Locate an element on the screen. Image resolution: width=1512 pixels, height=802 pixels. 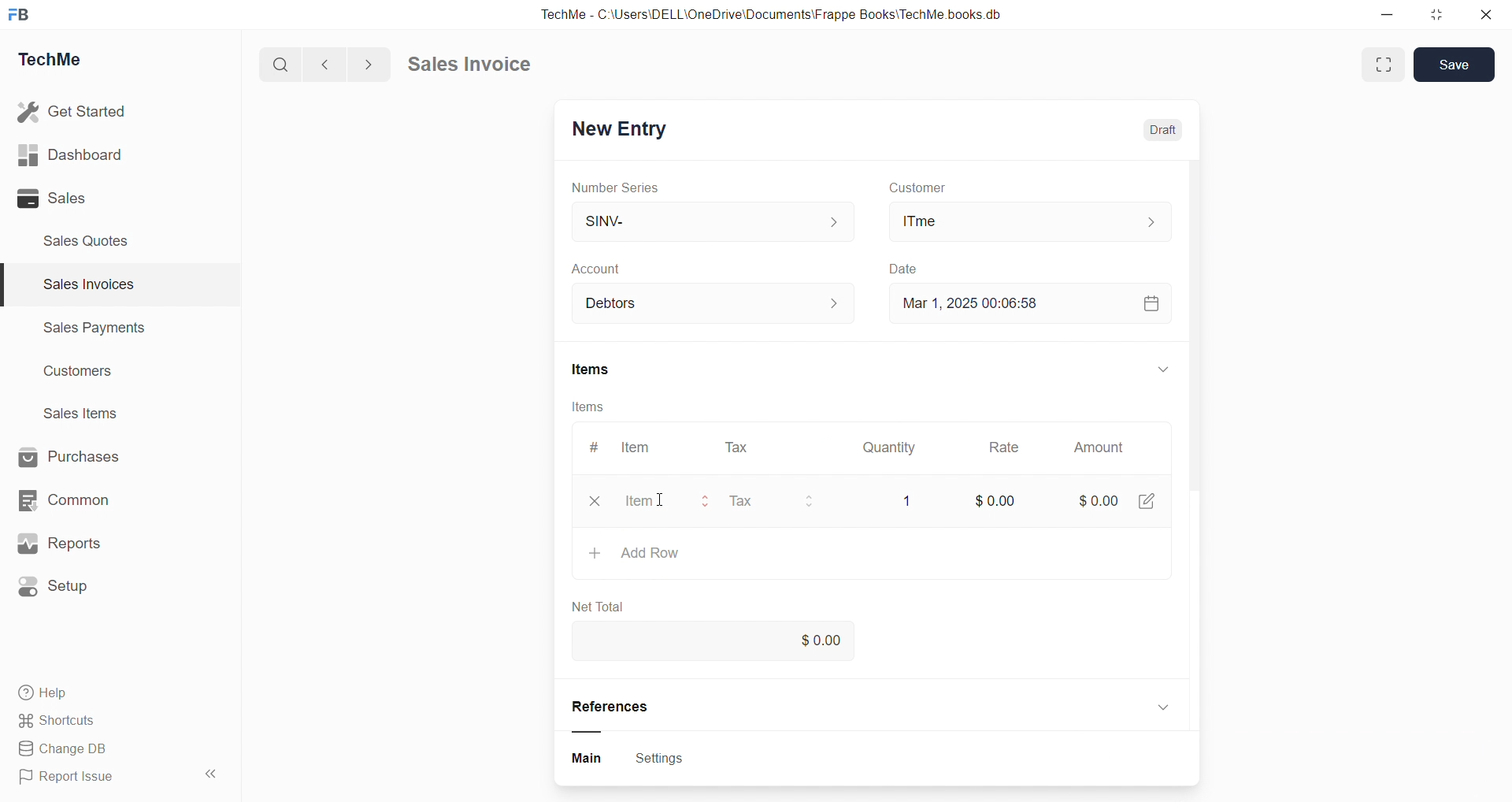
B& Change DB is located at coordinates (69, 750).